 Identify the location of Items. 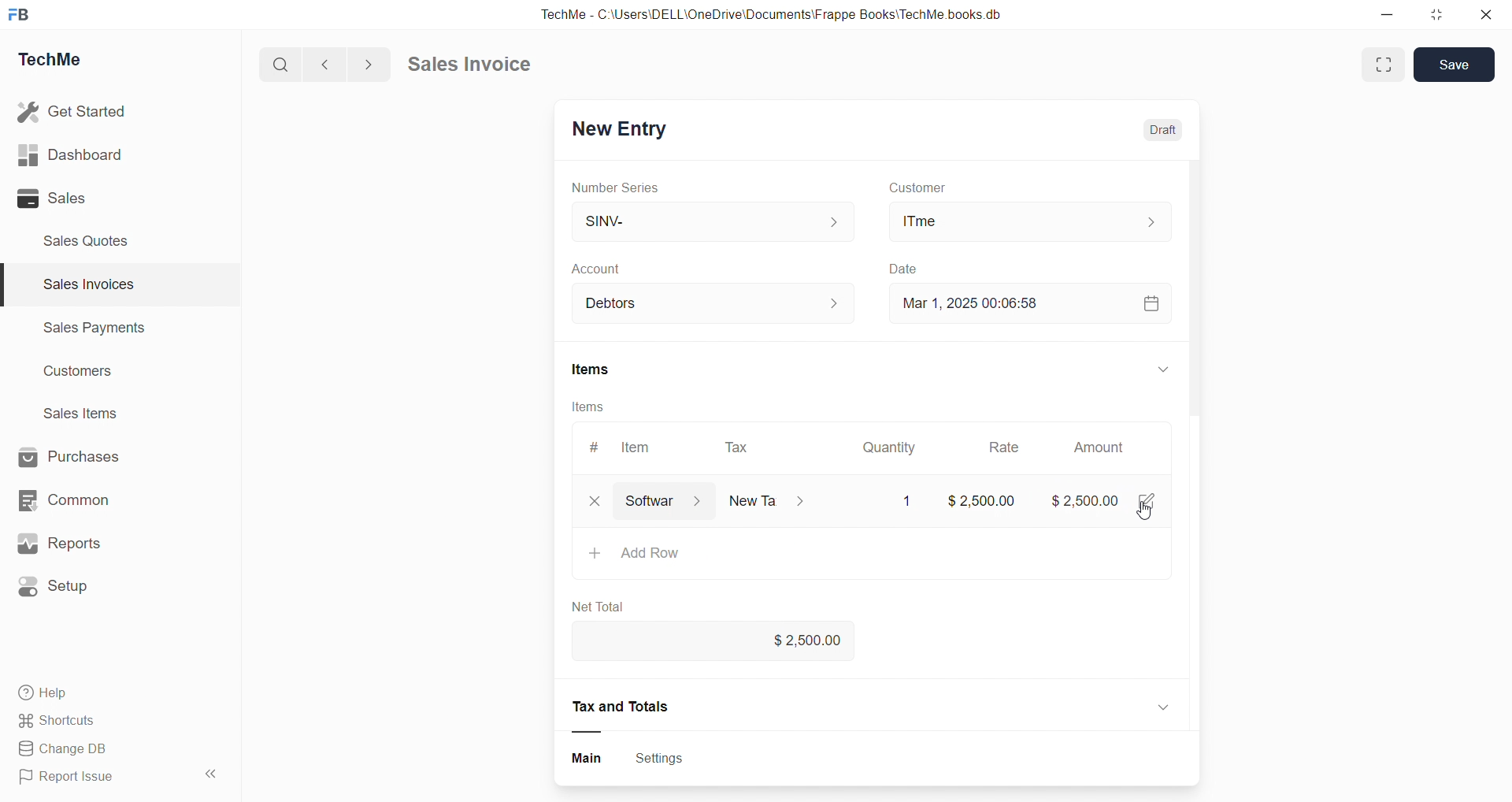
(602, 369).